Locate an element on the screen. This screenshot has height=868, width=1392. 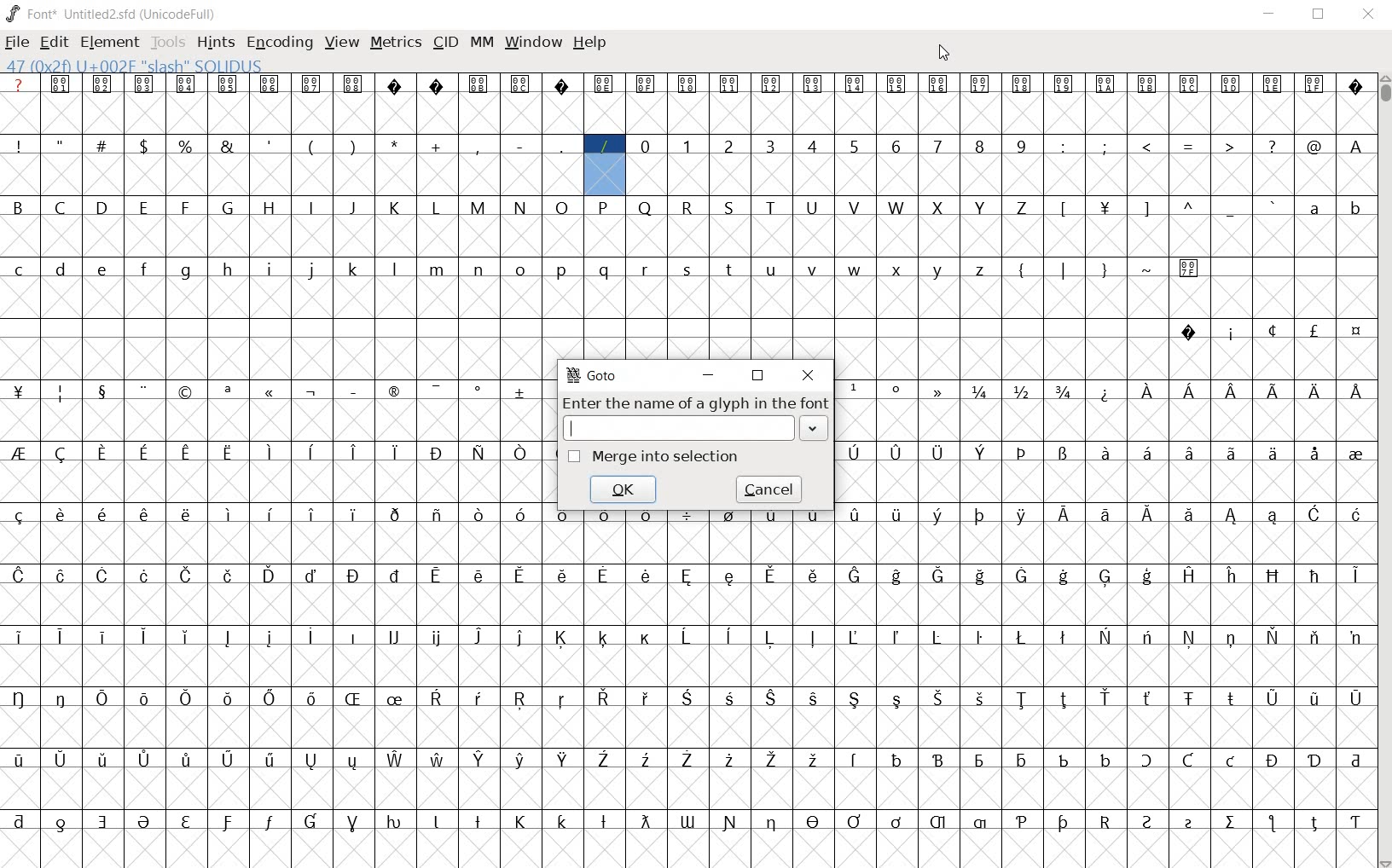
glyph is located at coordinates (1273, 84).